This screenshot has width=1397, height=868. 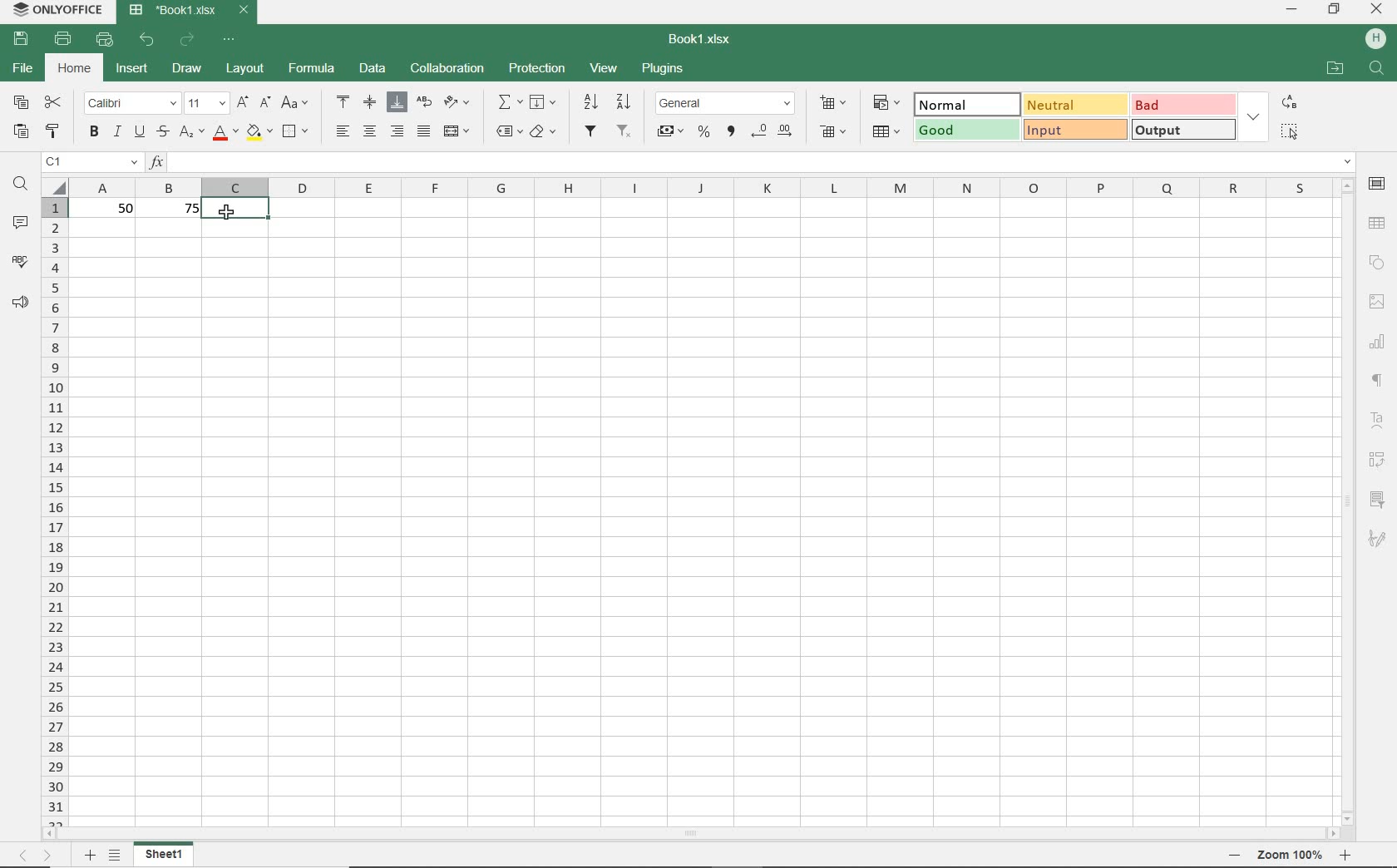 I want to click on feedback & support, so click(x=19, y=303).